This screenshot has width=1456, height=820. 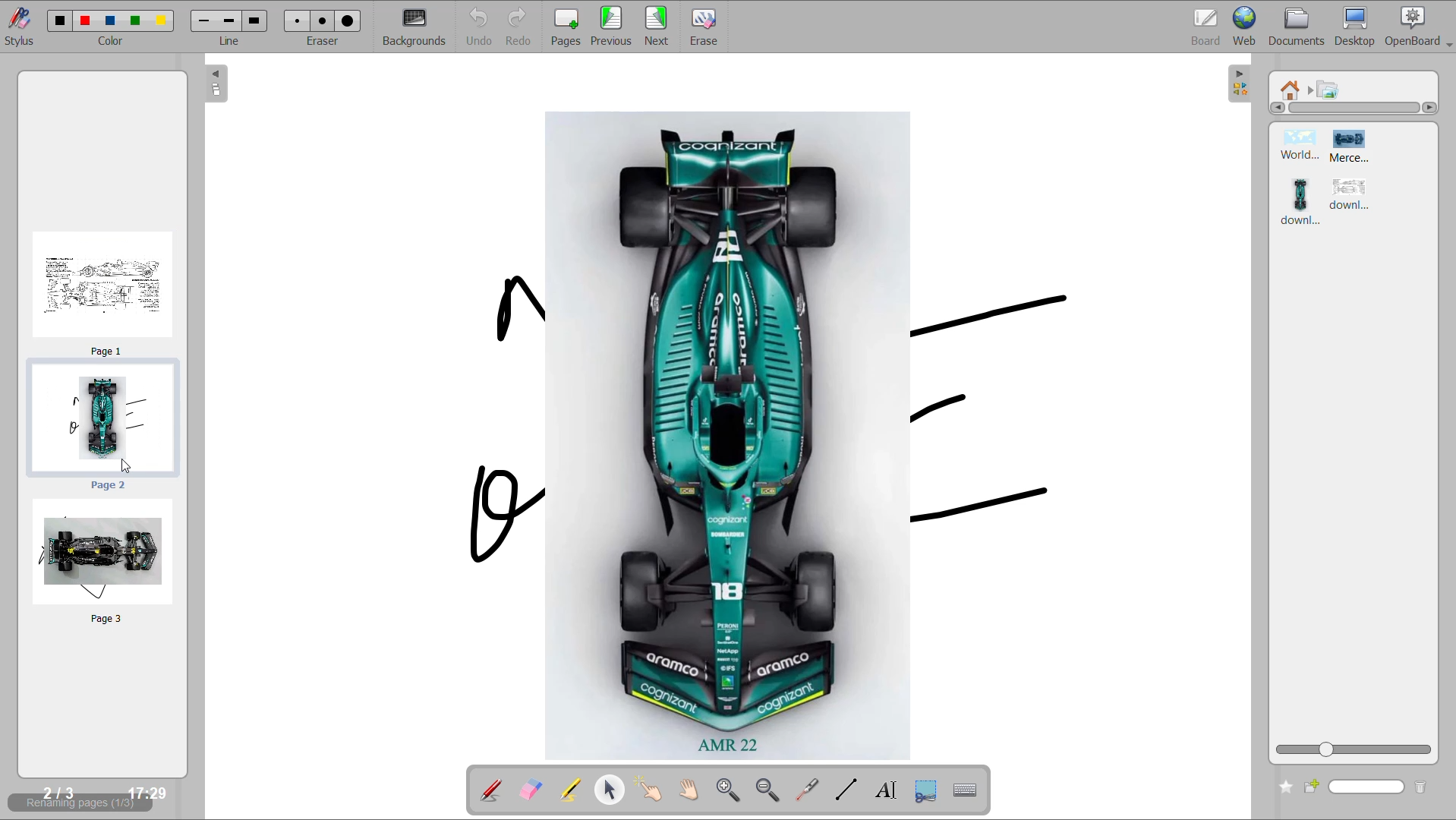 What do you see at coordinates (1295, 147) in the screenshot?
I see `image 1` at bounding box center [1295, 147].